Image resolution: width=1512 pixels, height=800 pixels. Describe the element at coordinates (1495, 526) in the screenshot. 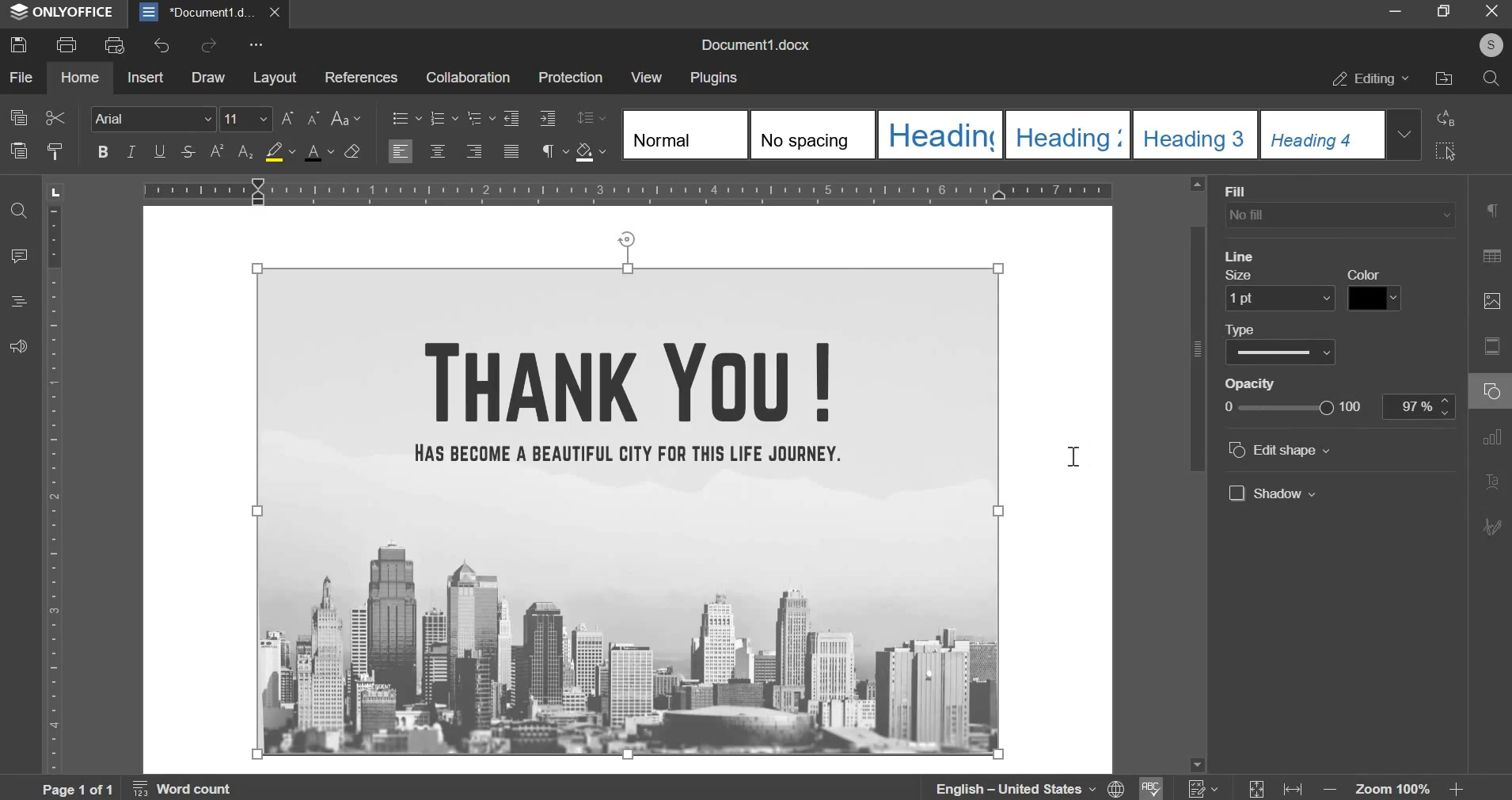

I see `signature` at that location.